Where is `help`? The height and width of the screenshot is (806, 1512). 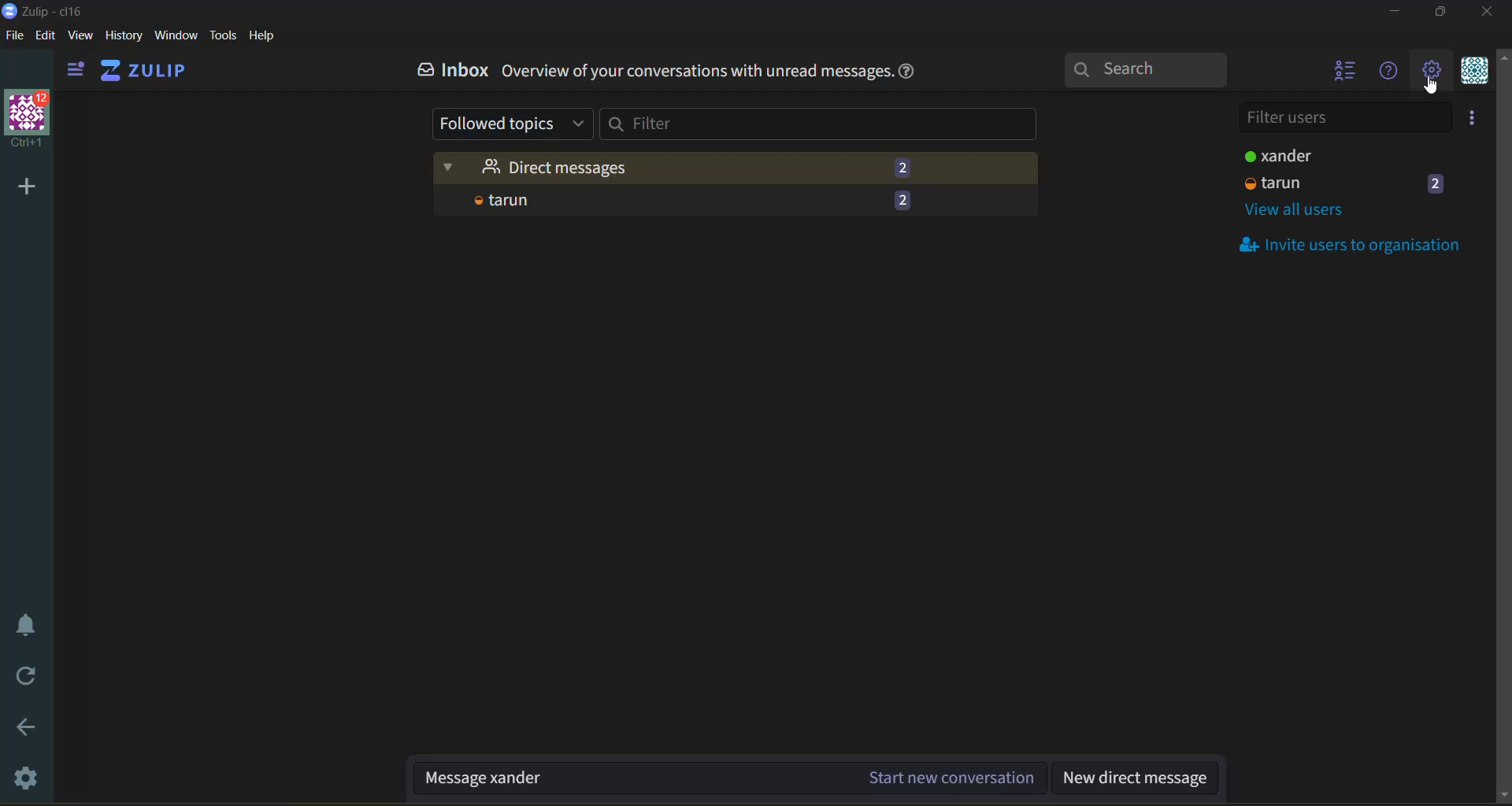
help is located at coordinates (262, 36).